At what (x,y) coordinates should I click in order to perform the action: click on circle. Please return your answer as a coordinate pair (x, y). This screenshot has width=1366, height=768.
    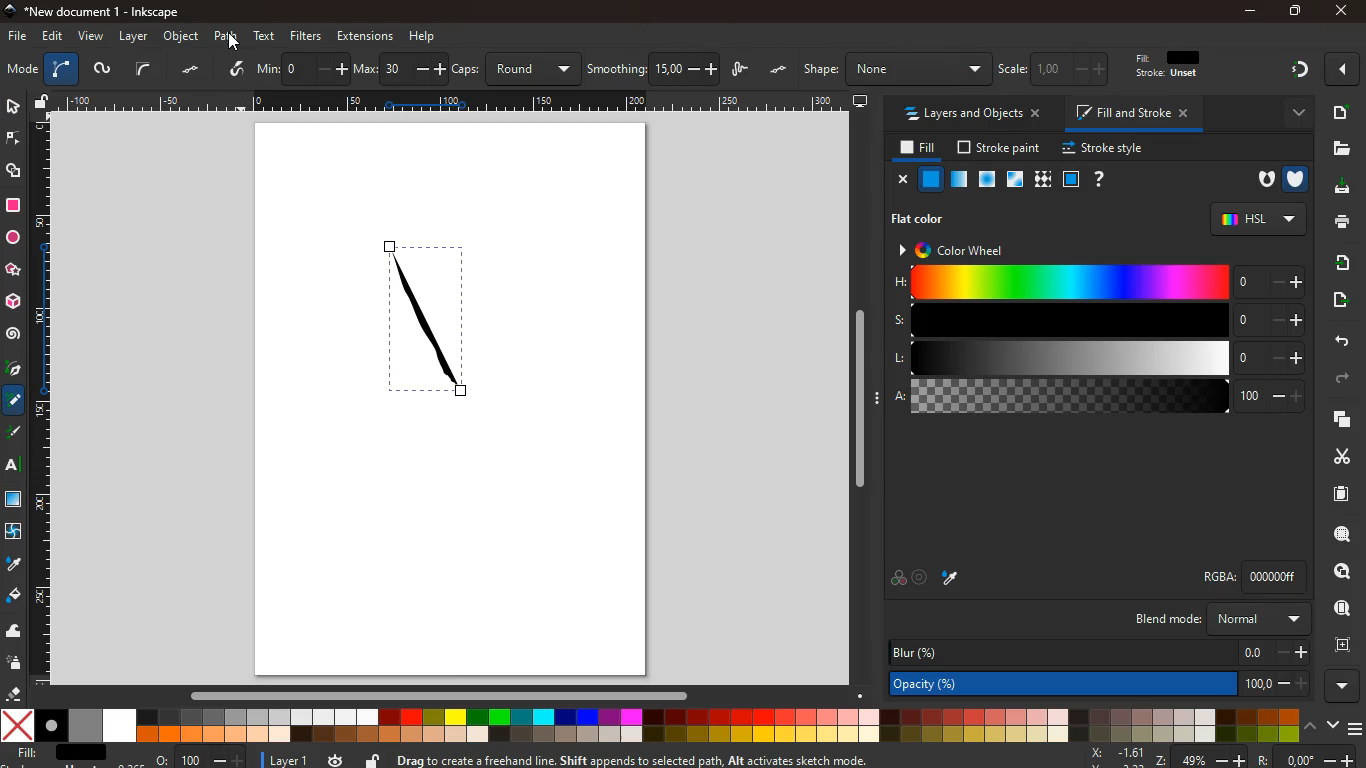
    Looking at the image, I should click on (12, 238).